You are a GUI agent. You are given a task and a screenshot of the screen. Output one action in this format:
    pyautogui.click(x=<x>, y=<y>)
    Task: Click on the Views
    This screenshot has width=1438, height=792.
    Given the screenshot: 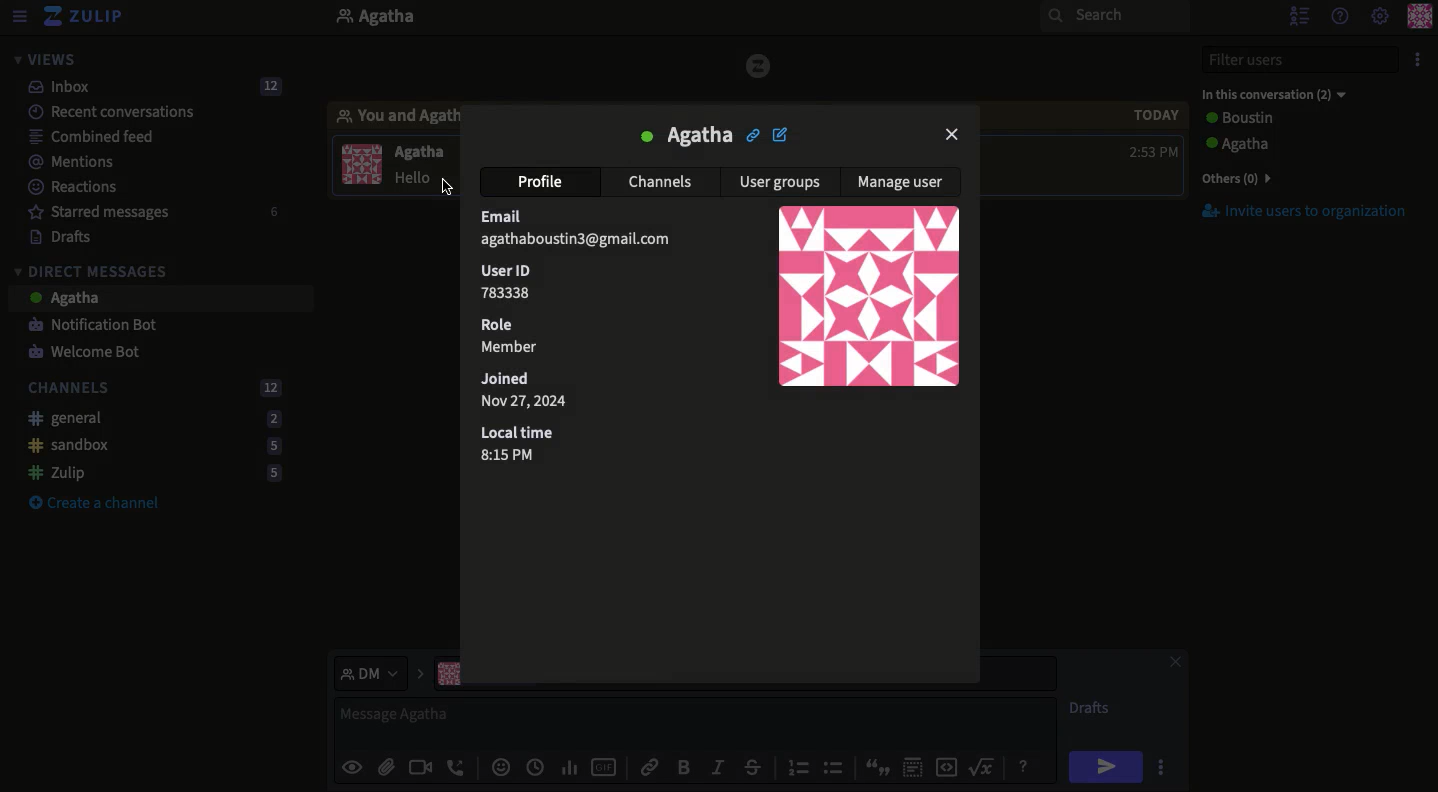 What is the action you would take?
    pyautogui.click(x=50, y=60)
    